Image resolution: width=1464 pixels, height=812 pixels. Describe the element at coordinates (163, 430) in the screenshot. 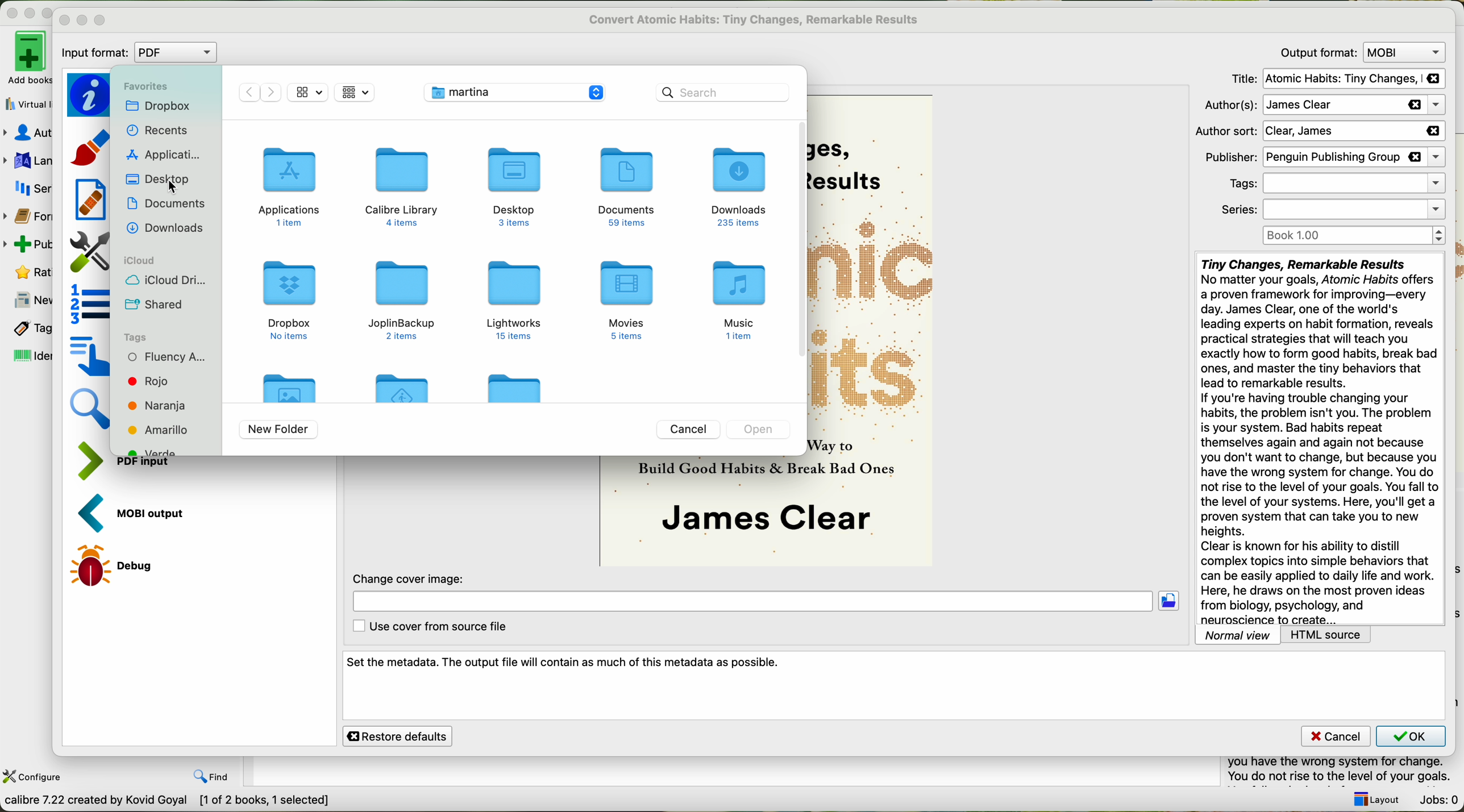

I see `yellow tag` at that location.